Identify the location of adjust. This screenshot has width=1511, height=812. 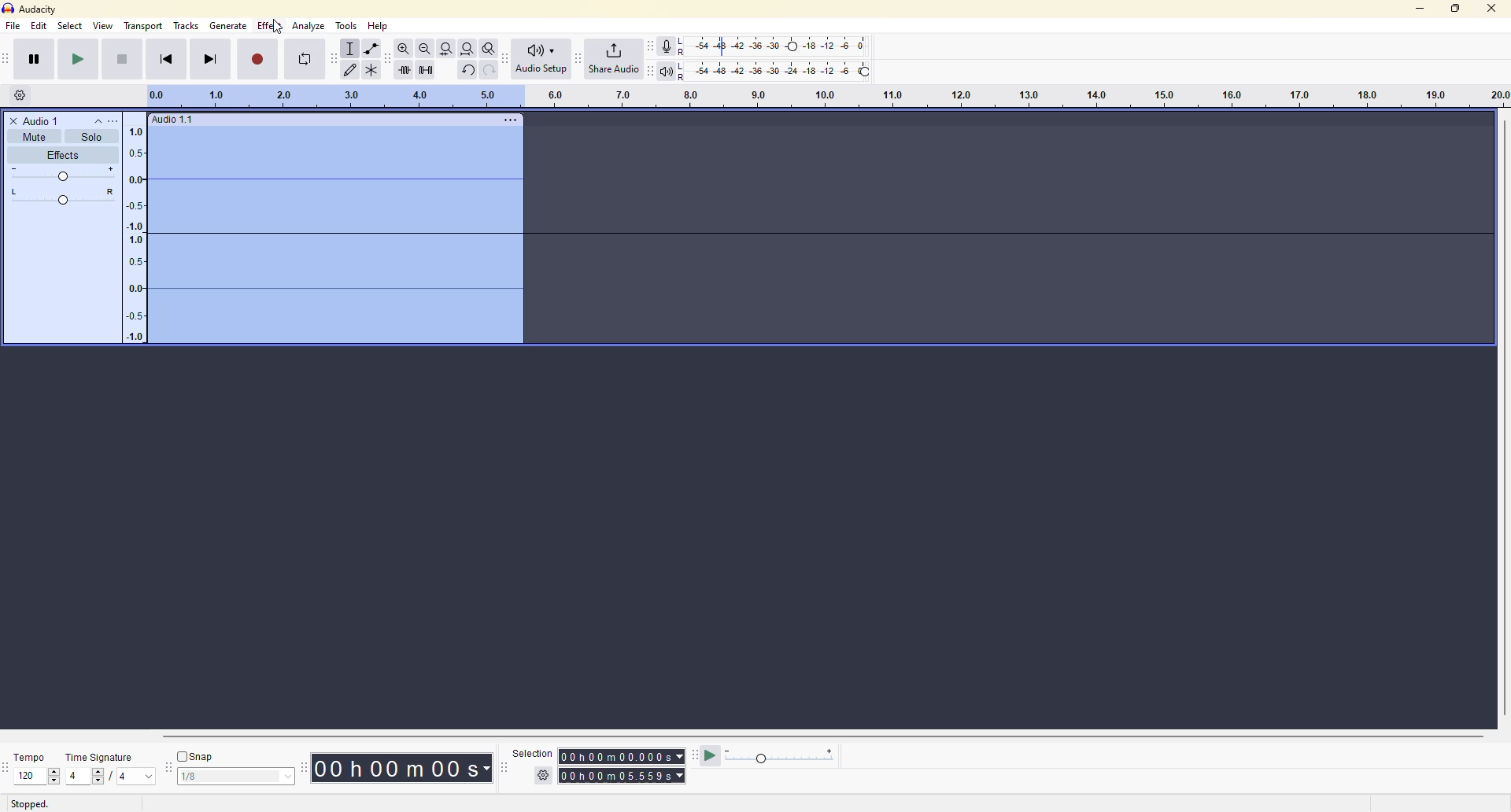
(64, 174).